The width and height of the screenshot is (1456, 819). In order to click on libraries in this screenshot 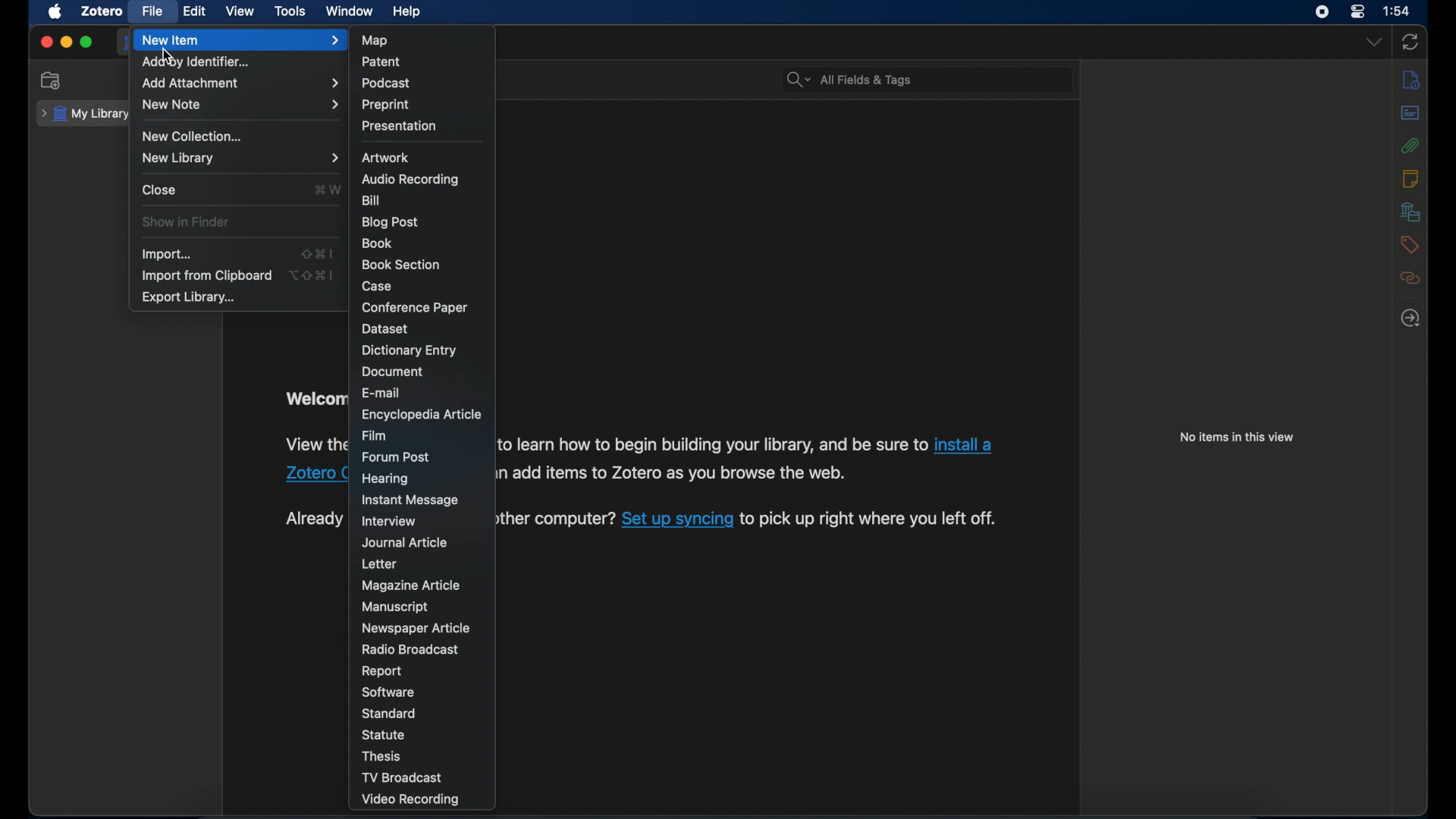, I will do `click(1410, 212)`.